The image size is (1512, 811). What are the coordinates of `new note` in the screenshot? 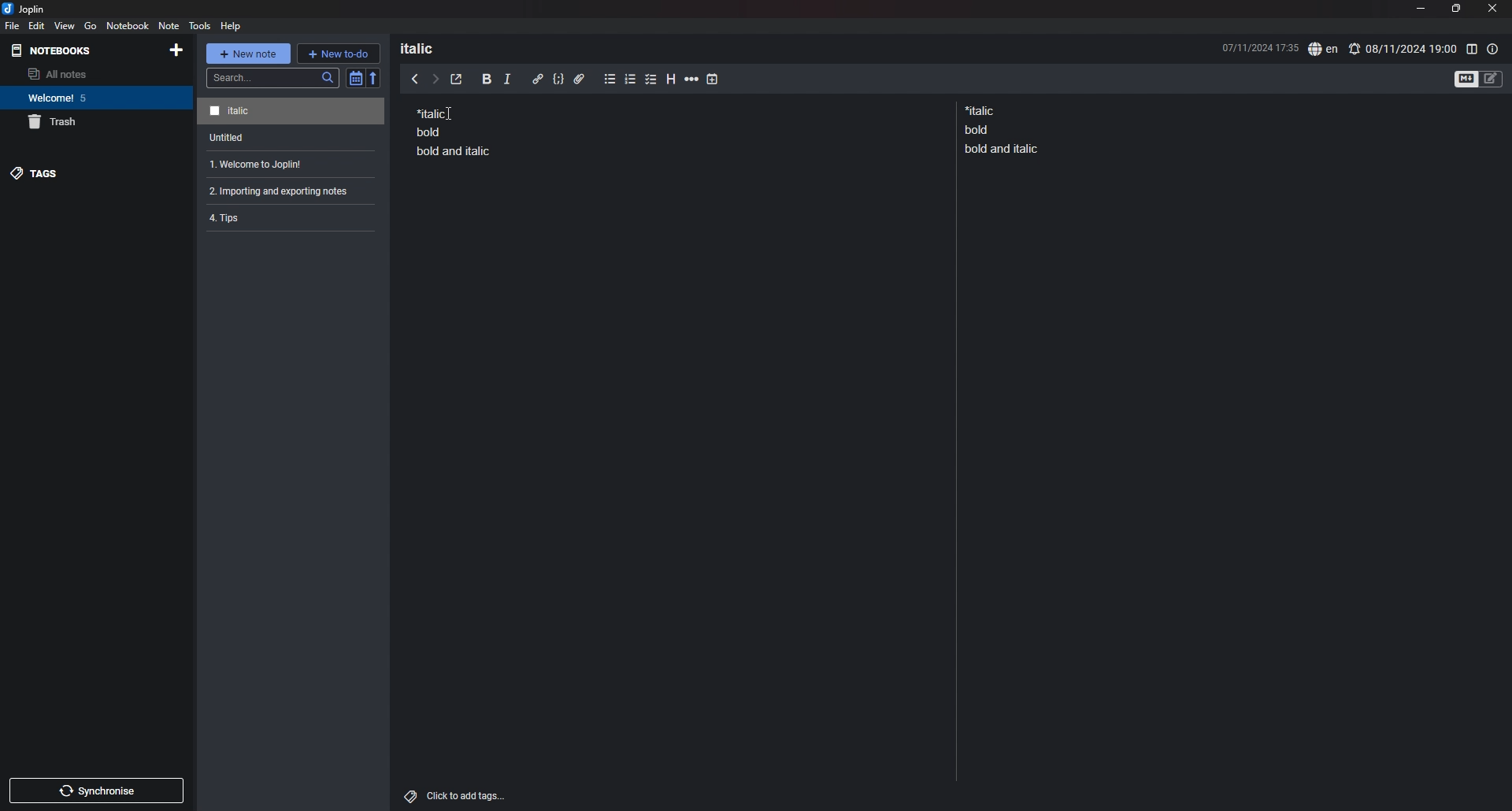 It's located at (247, 54).